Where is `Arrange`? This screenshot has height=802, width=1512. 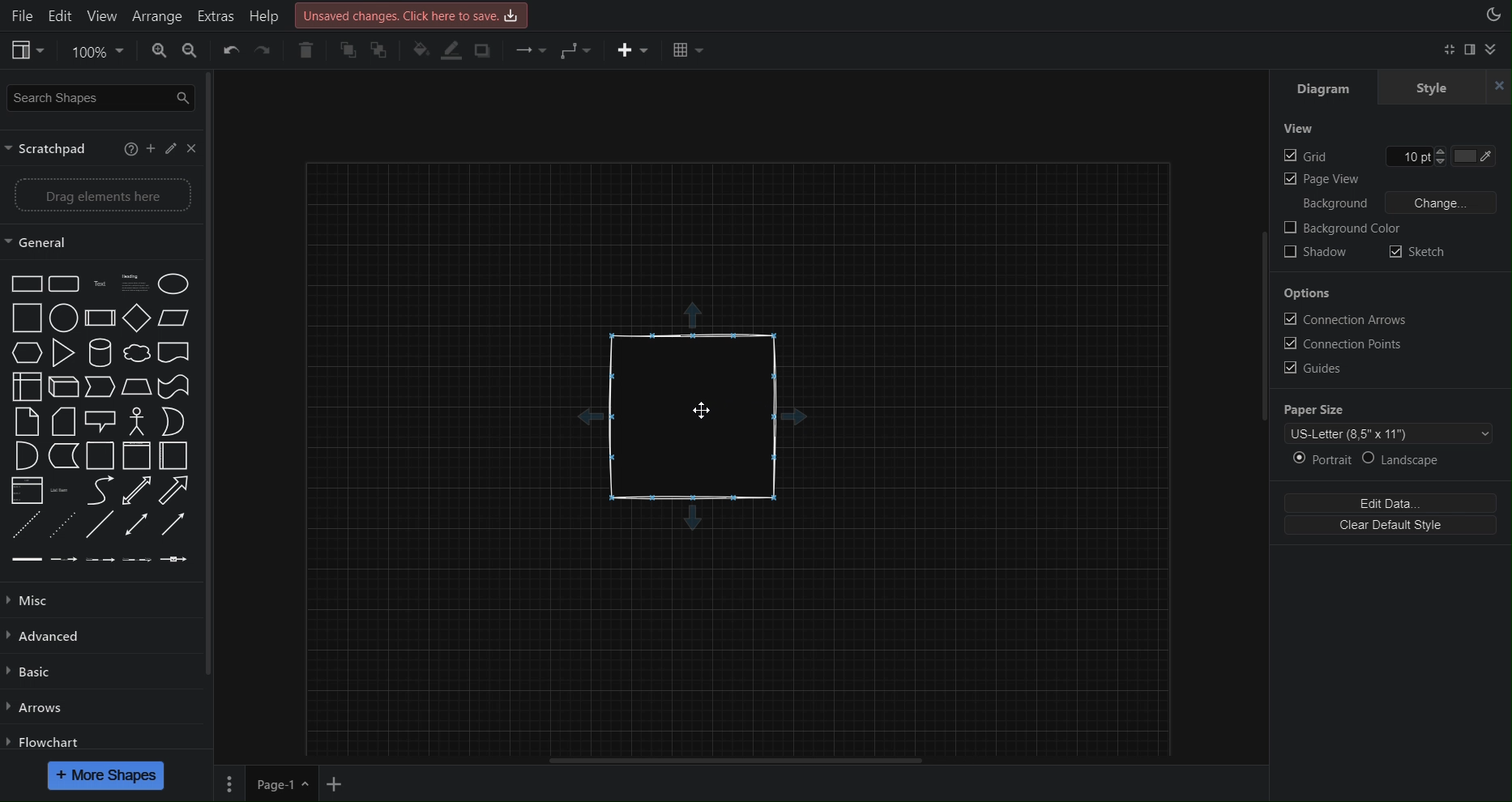 Arrange is located at coordinates (155, 14).